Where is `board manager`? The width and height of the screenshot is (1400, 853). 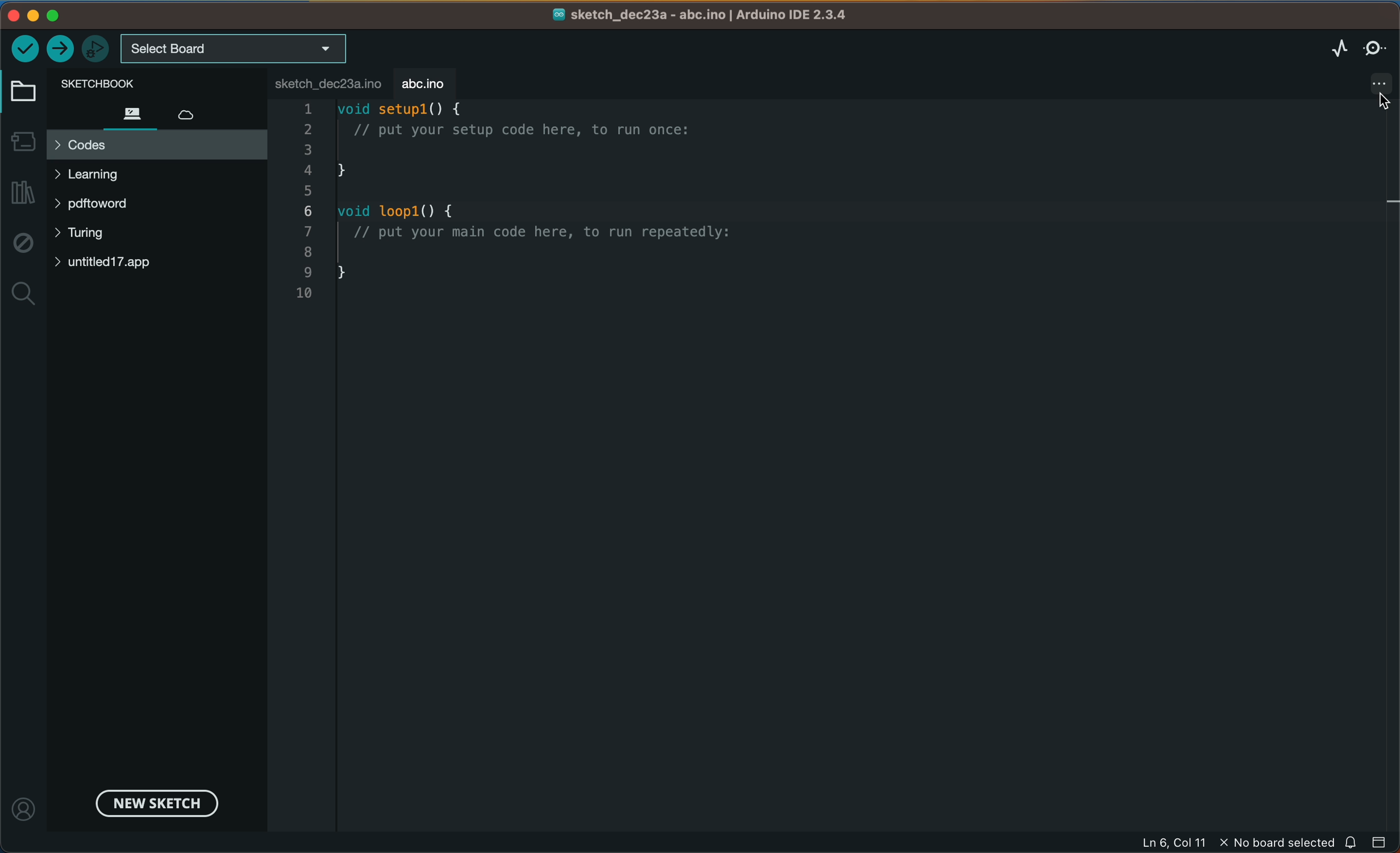 board manager is located at coordinates (23, 141).